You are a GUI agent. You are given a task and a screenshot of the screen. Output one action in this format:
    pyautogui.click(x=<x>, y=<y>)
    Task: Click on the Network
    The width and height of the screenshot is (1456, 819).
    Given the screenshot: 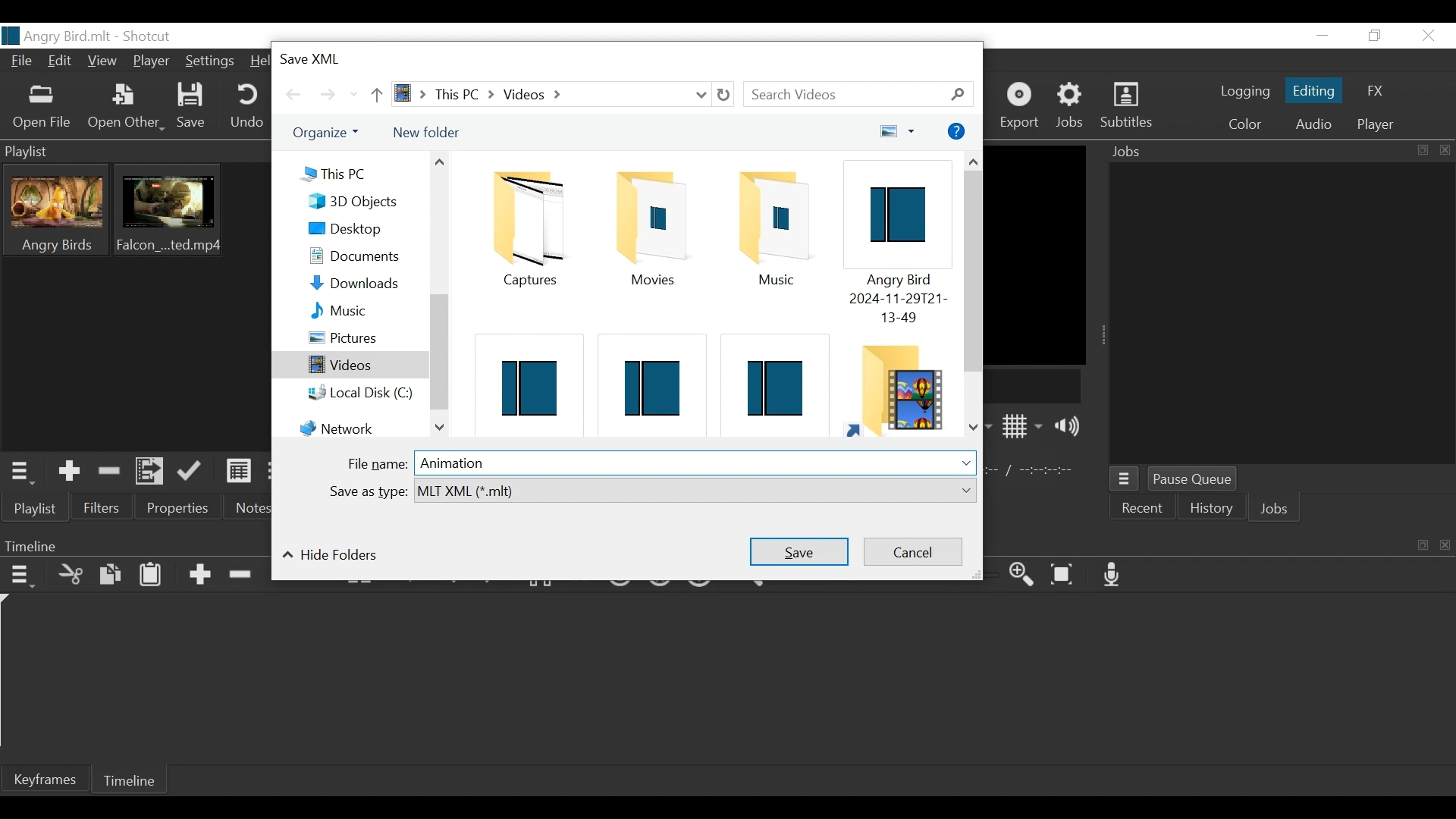 What is the action you would take?
    pyautogui.click(x=356, y=424)
    